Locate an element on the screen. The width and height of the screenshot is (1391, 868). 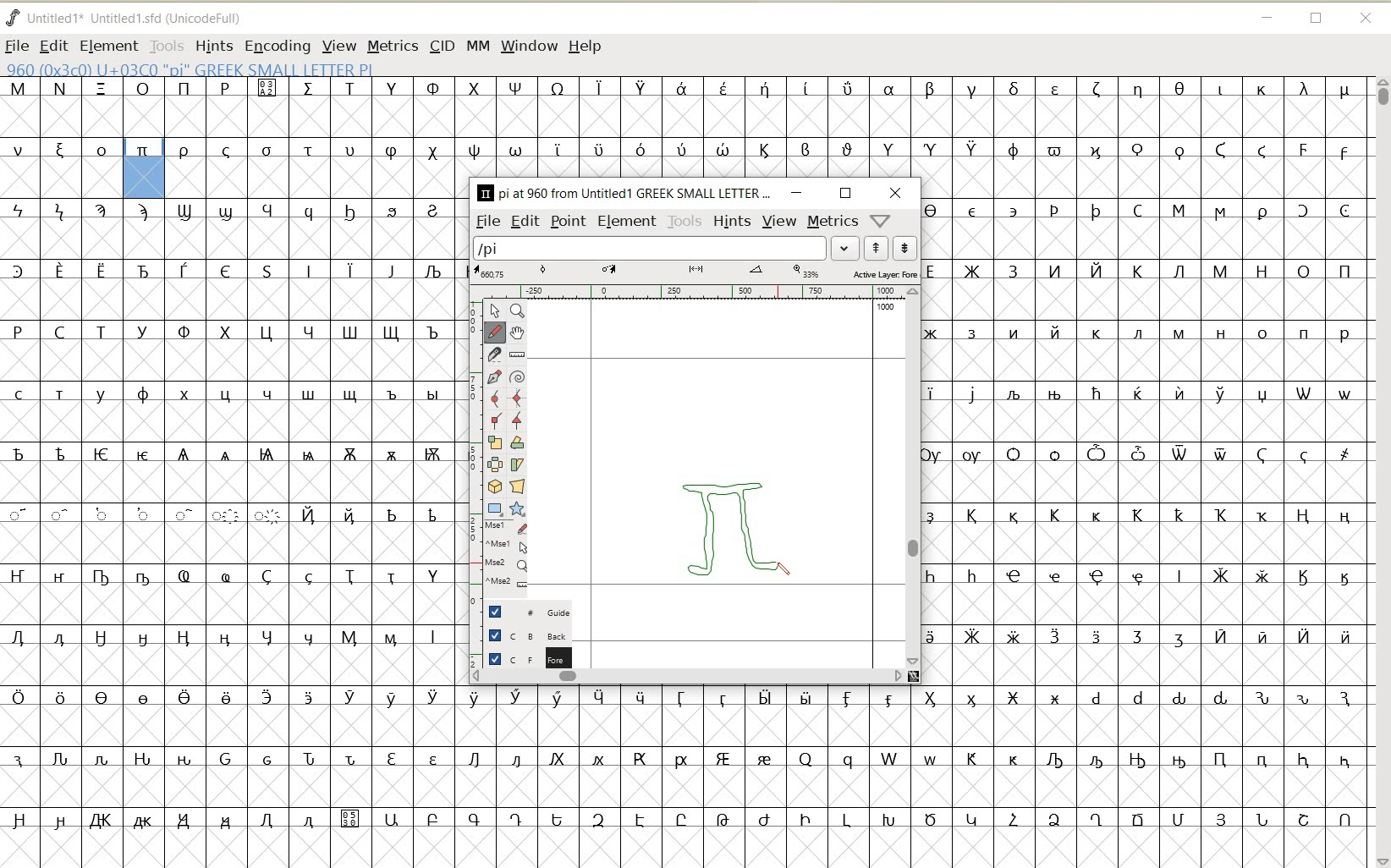
metrics is located at coordinates (833, 222).